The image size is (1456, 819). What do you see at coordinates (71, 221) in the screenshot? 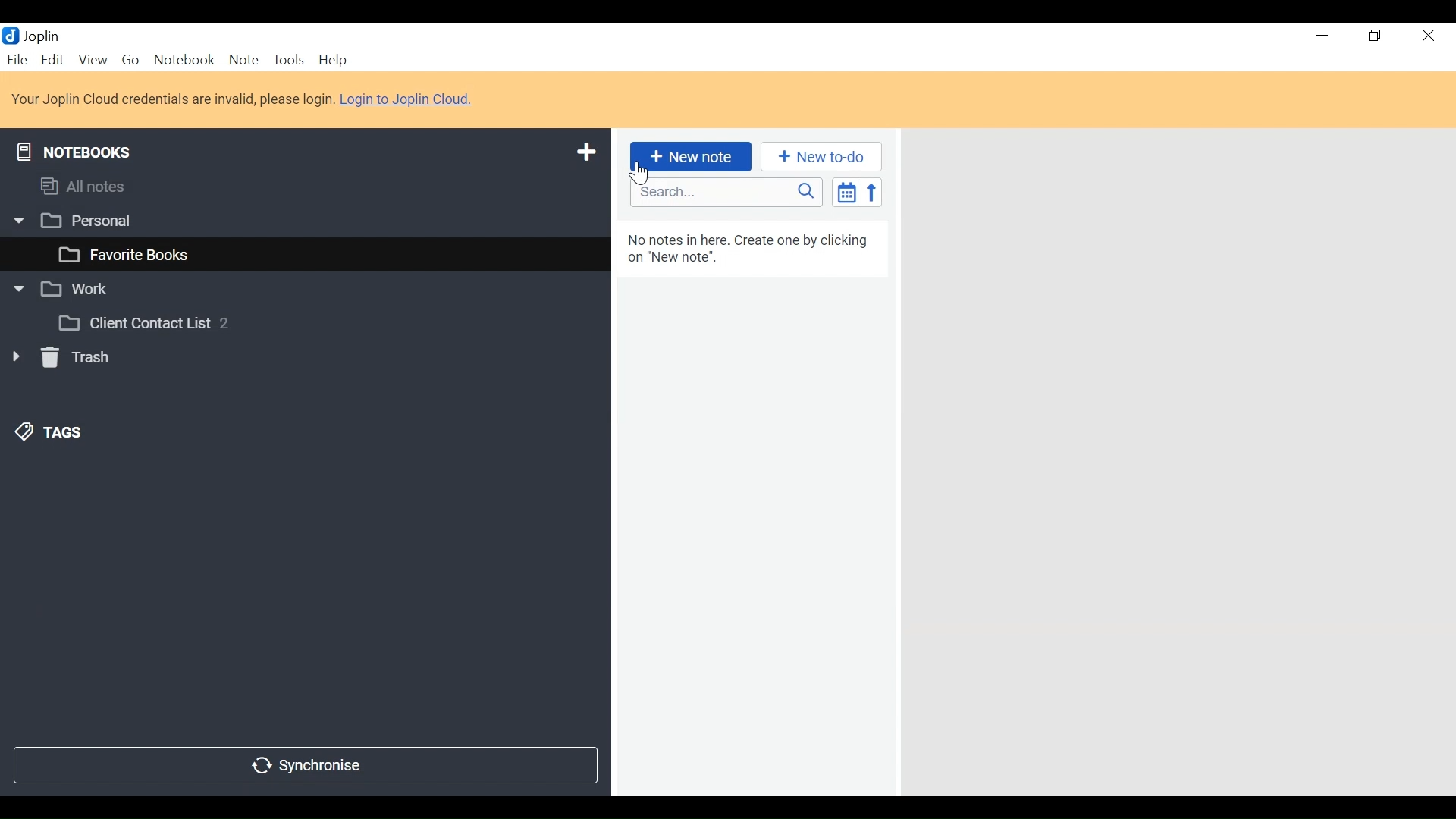
I see ` Personal` at bounding box center [71, 221].